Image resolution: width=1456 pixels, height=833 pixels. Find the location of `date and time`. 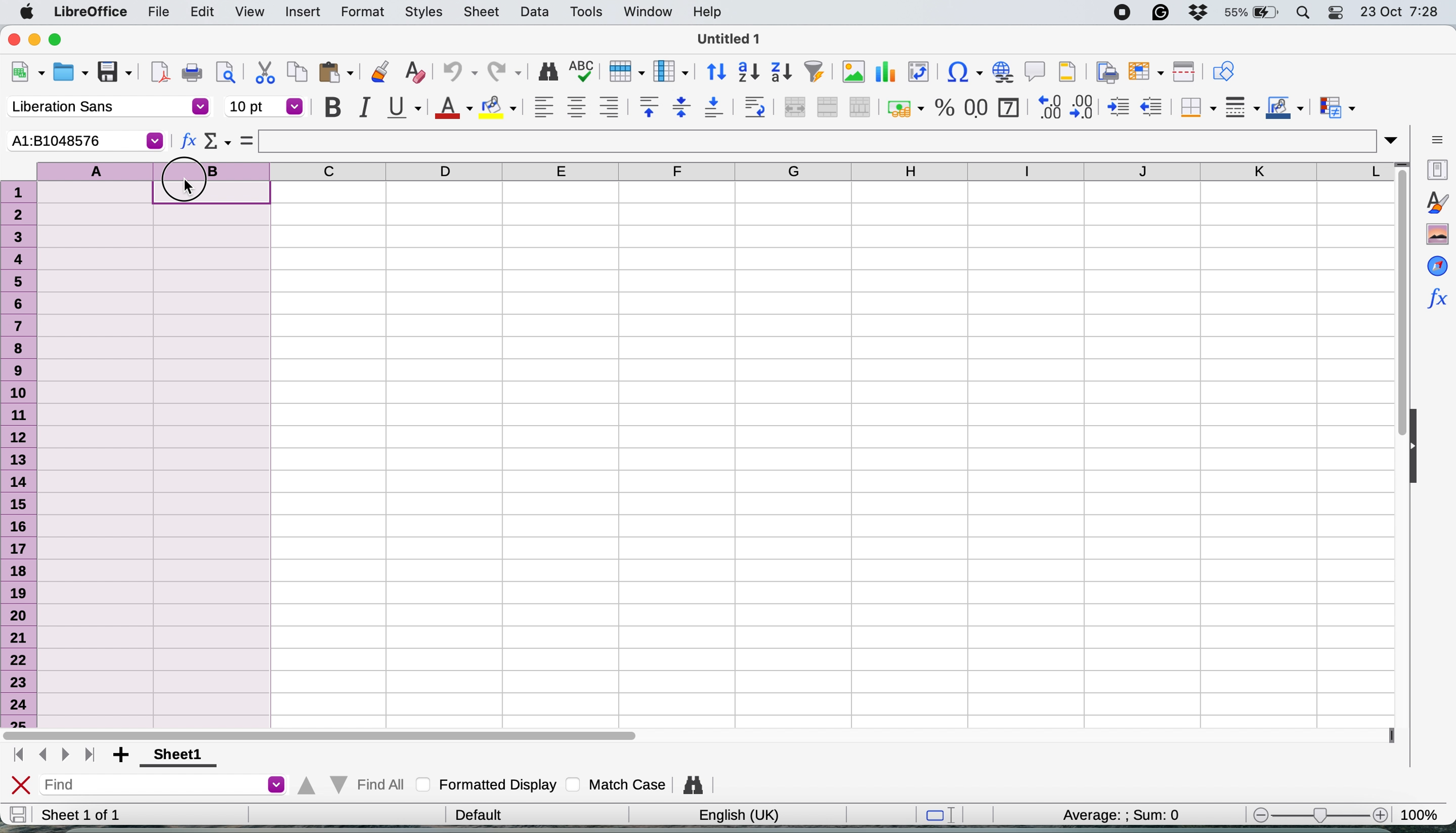

date and time is located at coordinates (1405, 11).